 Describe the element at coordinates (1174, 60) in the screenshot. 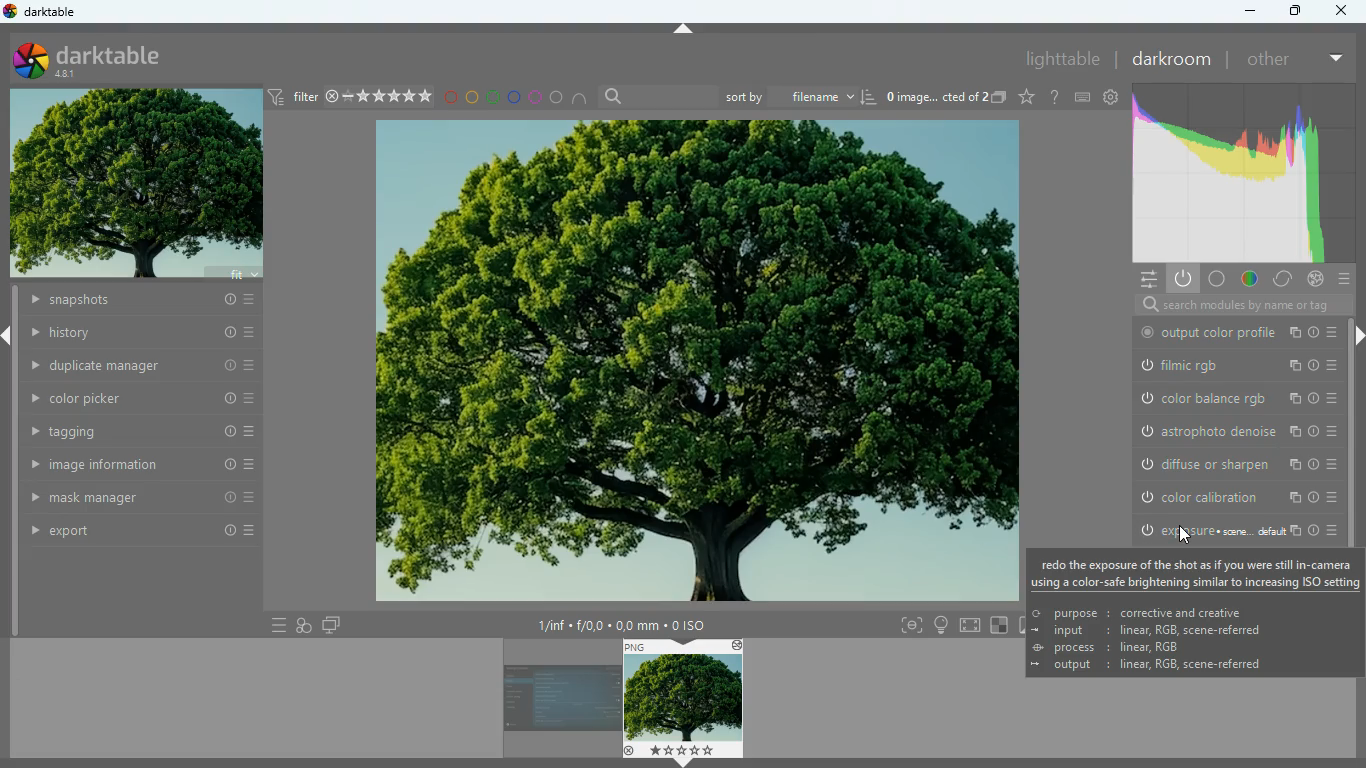

I see `darkroom` at that location.